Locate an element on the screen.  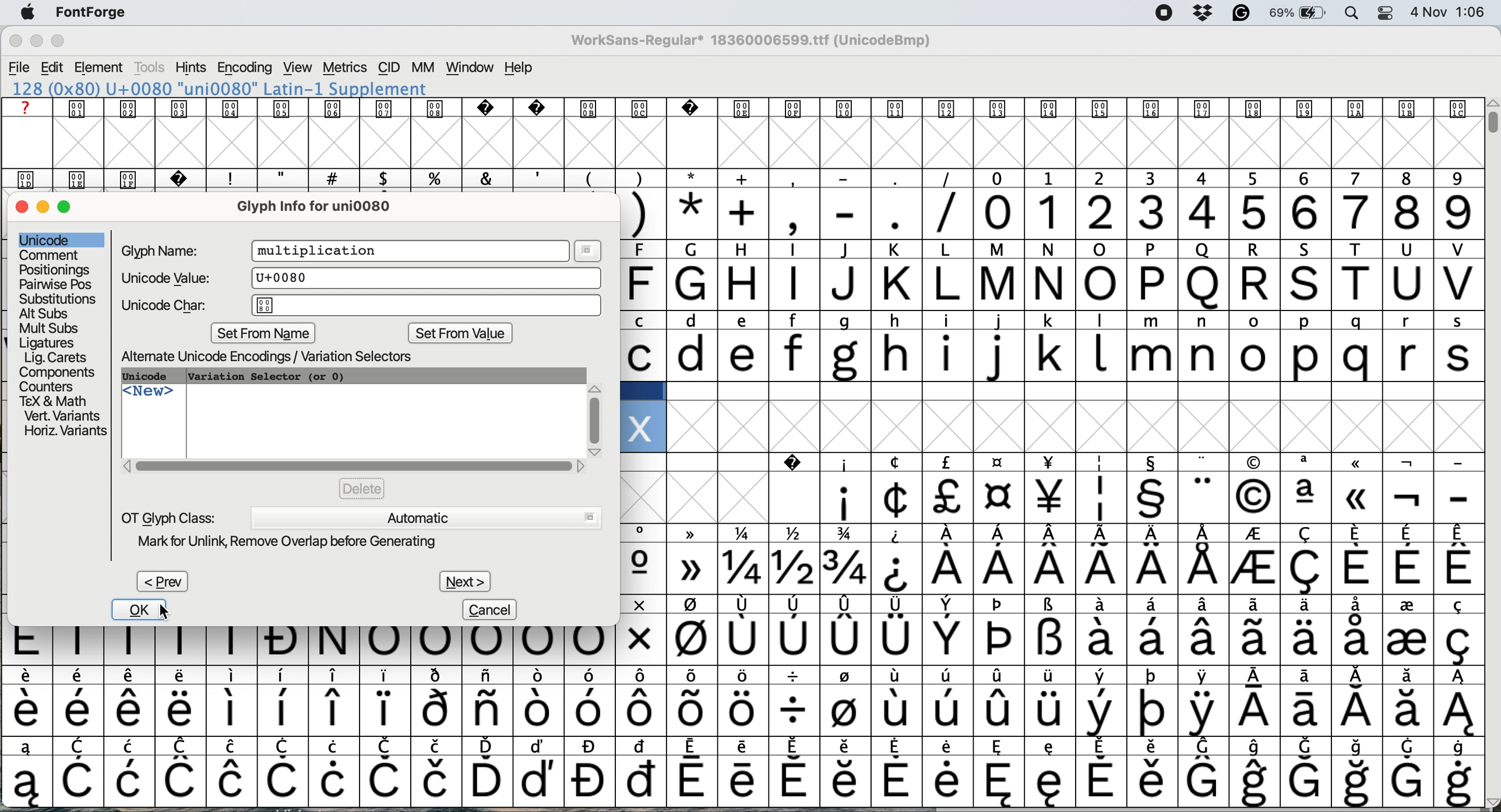
screen recorder is located at coordinates (1160, 13).